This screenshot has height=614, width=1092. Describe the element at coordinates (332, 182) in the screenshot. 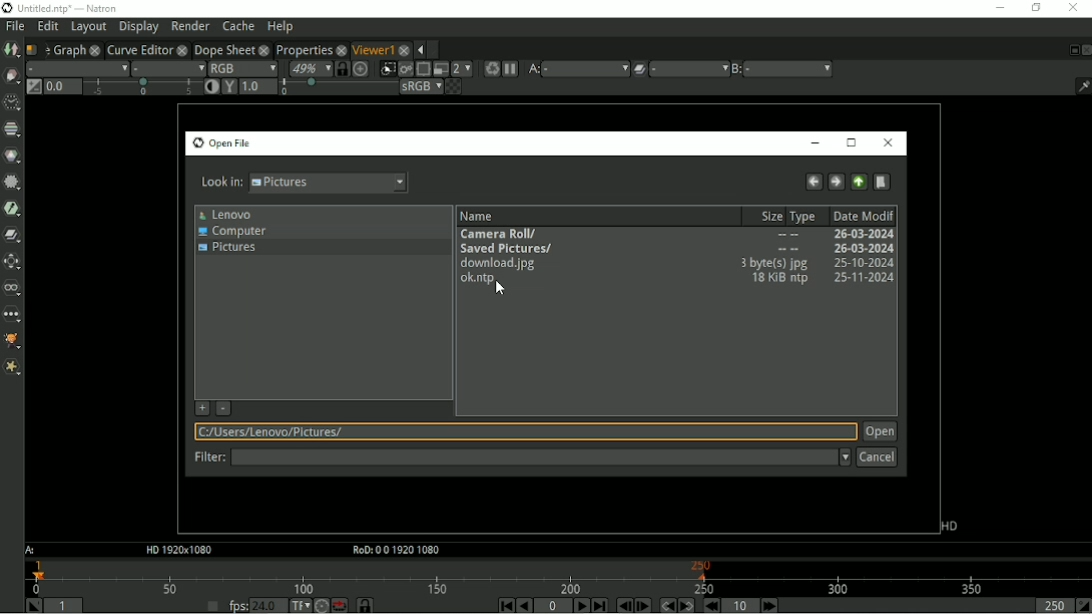

I see `pictures` at that location.